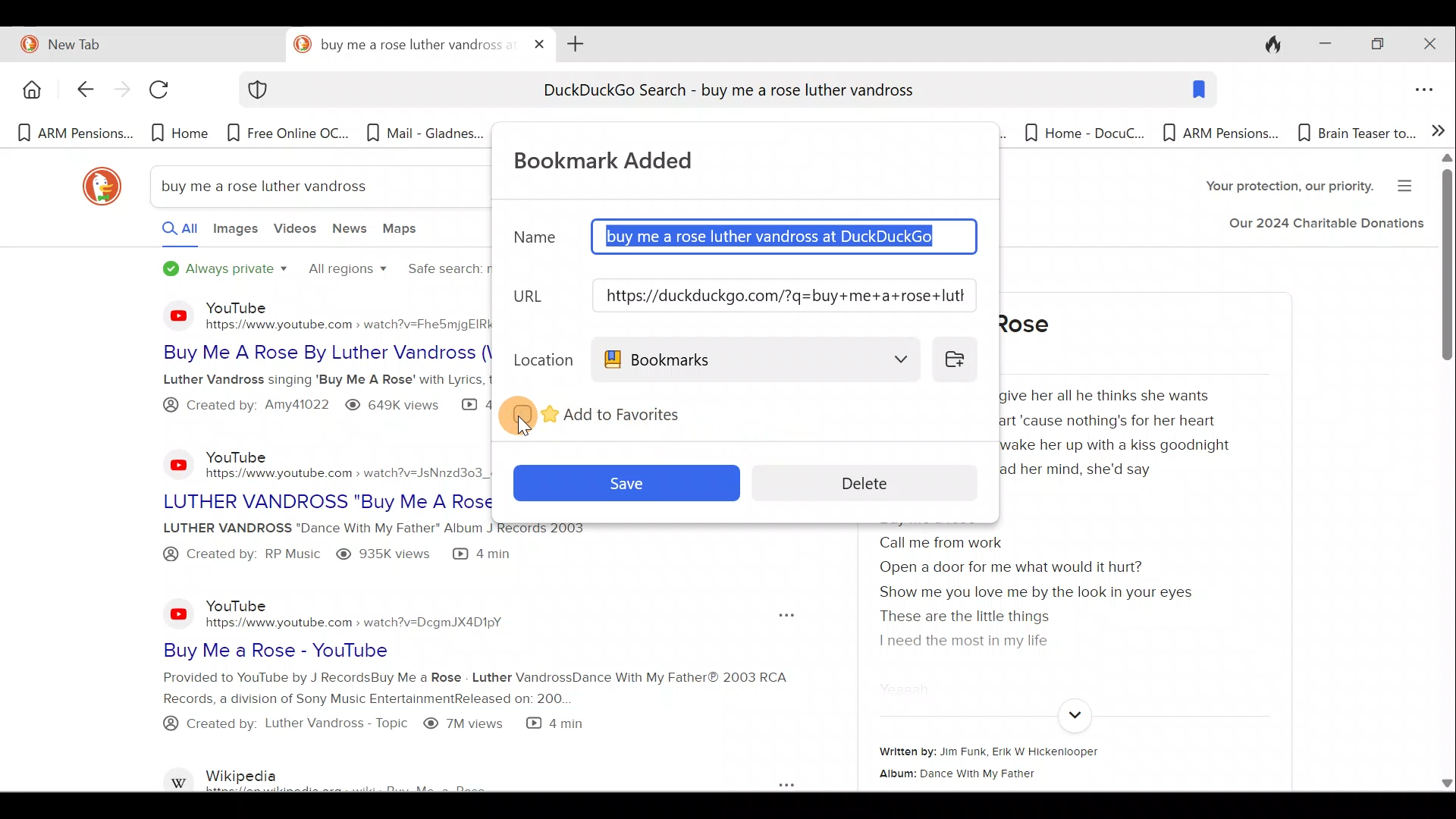 The image size is (1456, 819). Describe the element at coordinates (309, 397) in the screenshot. I see `Luther Vandross singing 'Buy Me A Rose’ with Lyrics, taken from his Album 'Dance With My Father
@ Created by: Amya1022 ® 649K views (2 4 min` at that location.